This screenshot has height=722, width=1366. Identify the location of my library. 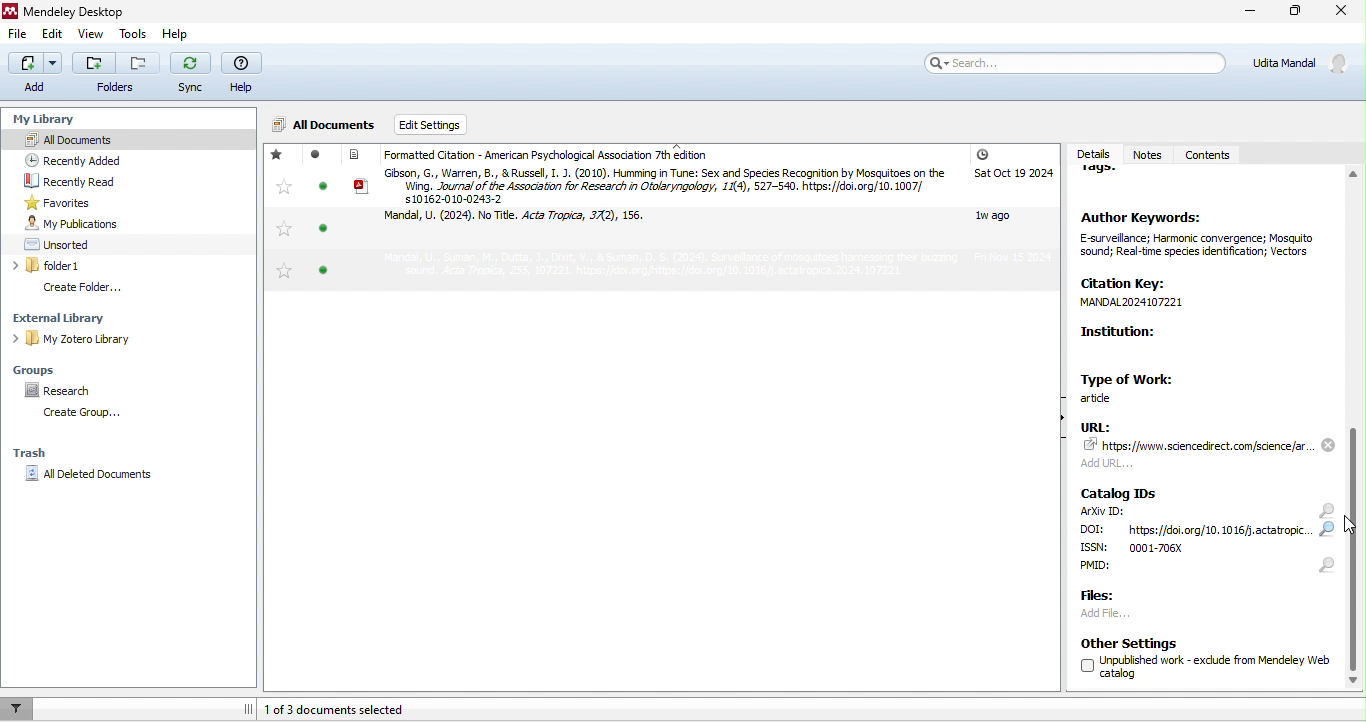
(41, 115).